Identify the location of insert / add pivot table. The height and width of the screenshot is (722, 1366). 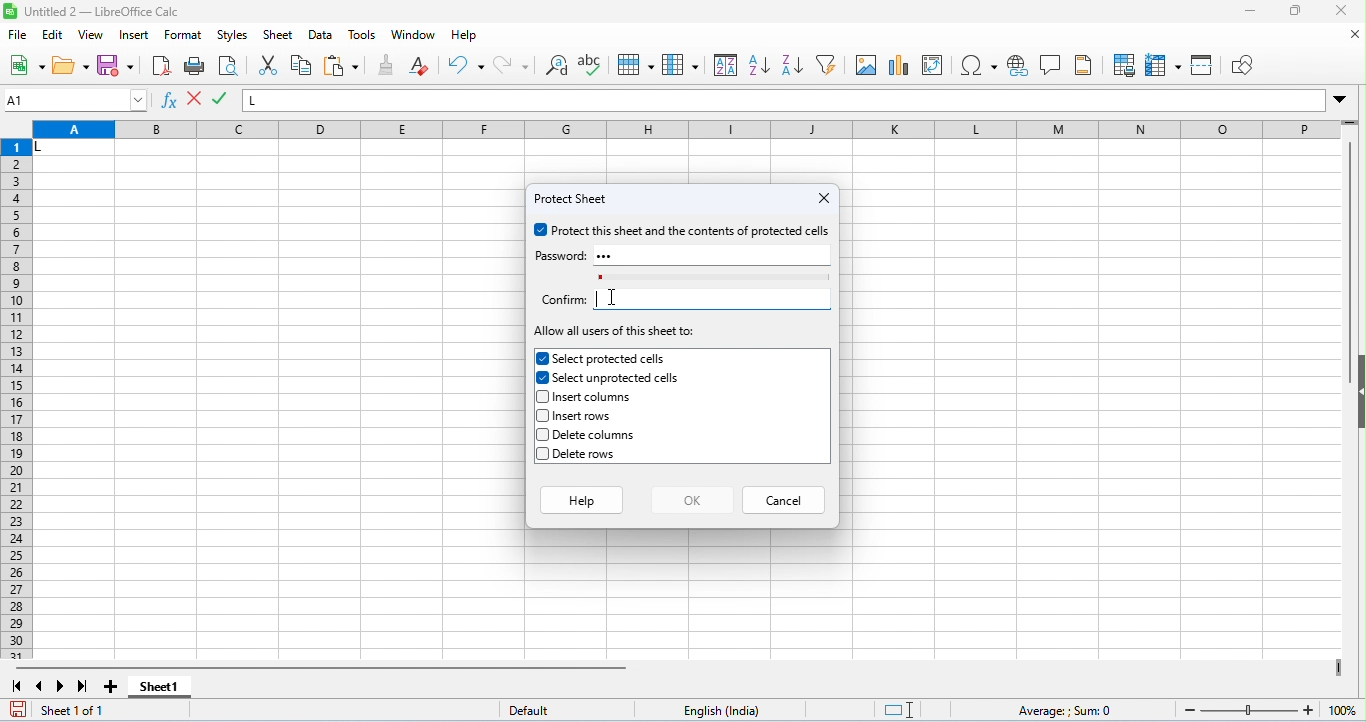
(932, 65).